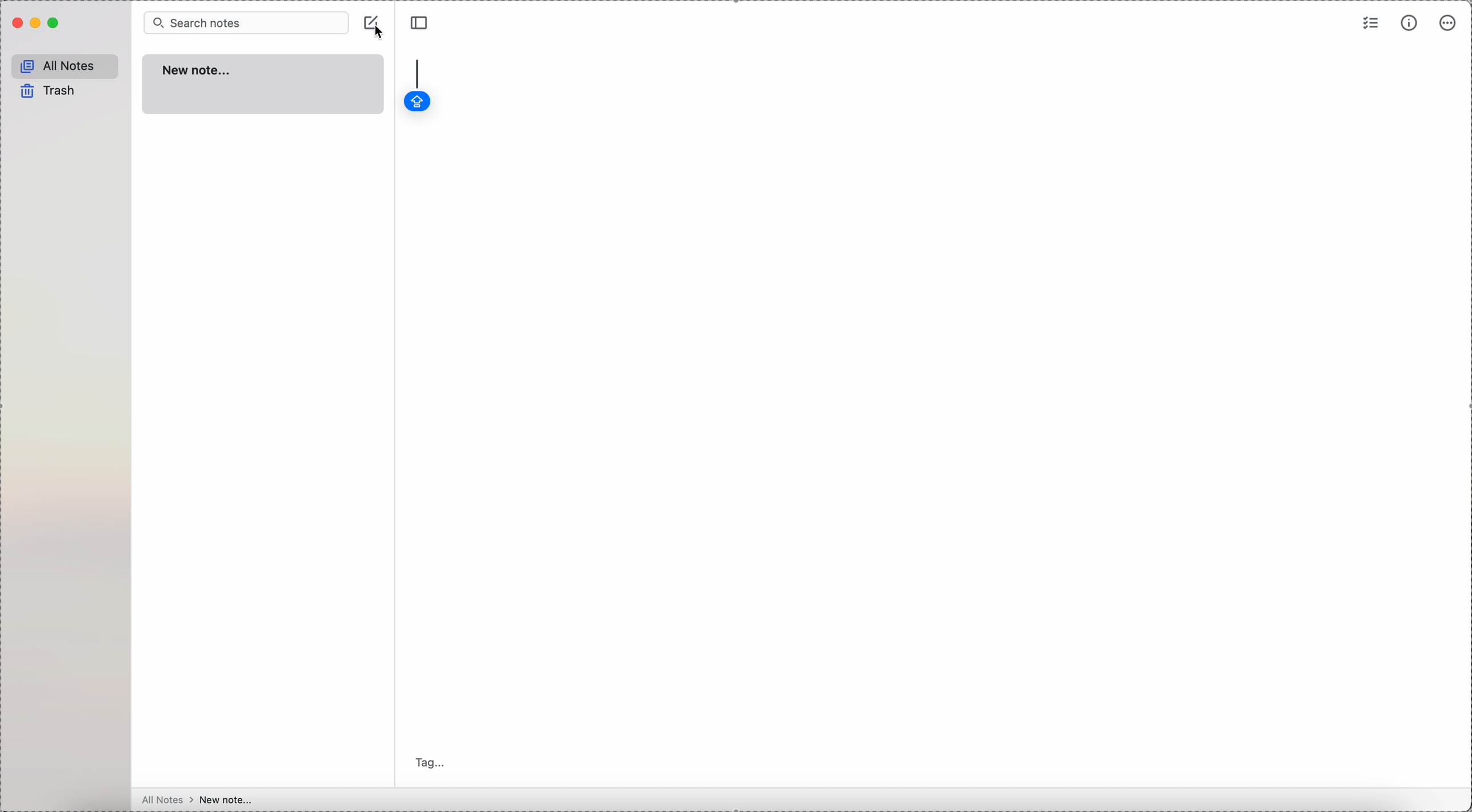 The width and height of the screenshot is (1472, 812). Describe the element at coordinates (1449, 24) in the screenshot. I see `more options` at that location.